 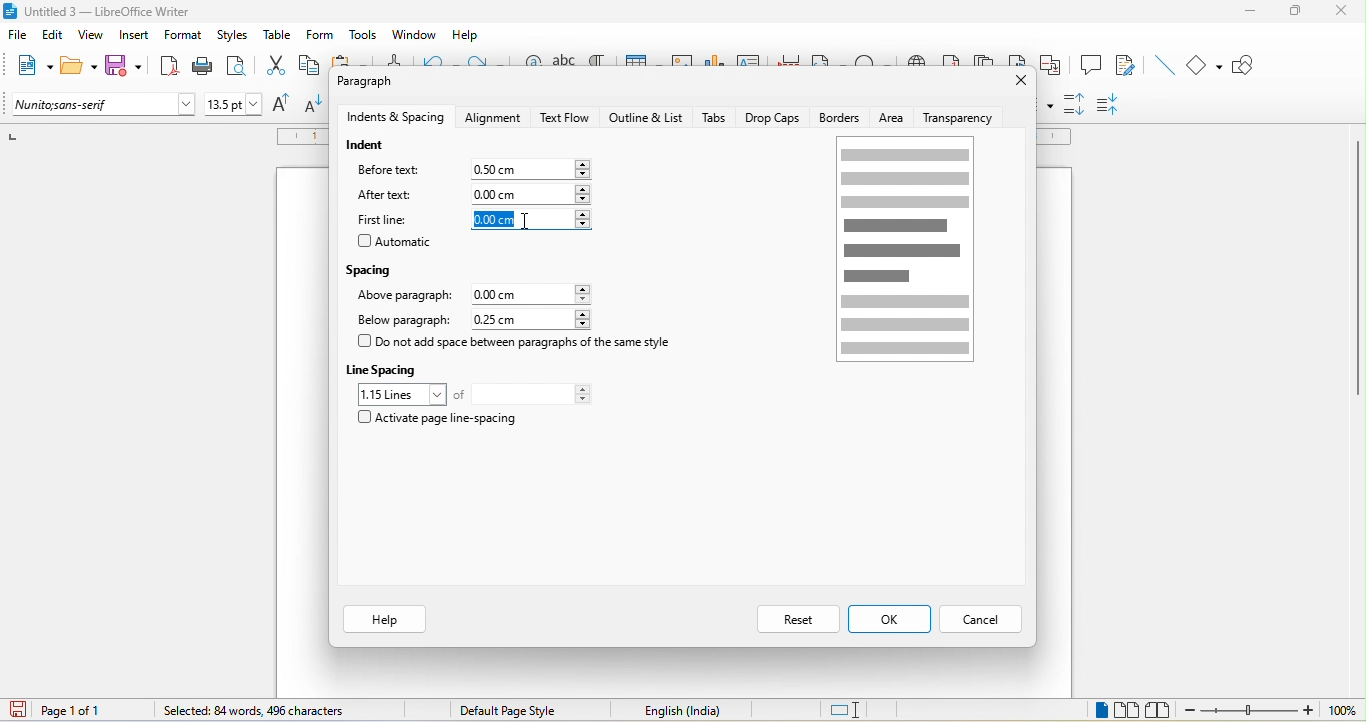 What do you see at coordinates (278, 34) in the screenshot?
I see `table` at bounding box center [278, 34].